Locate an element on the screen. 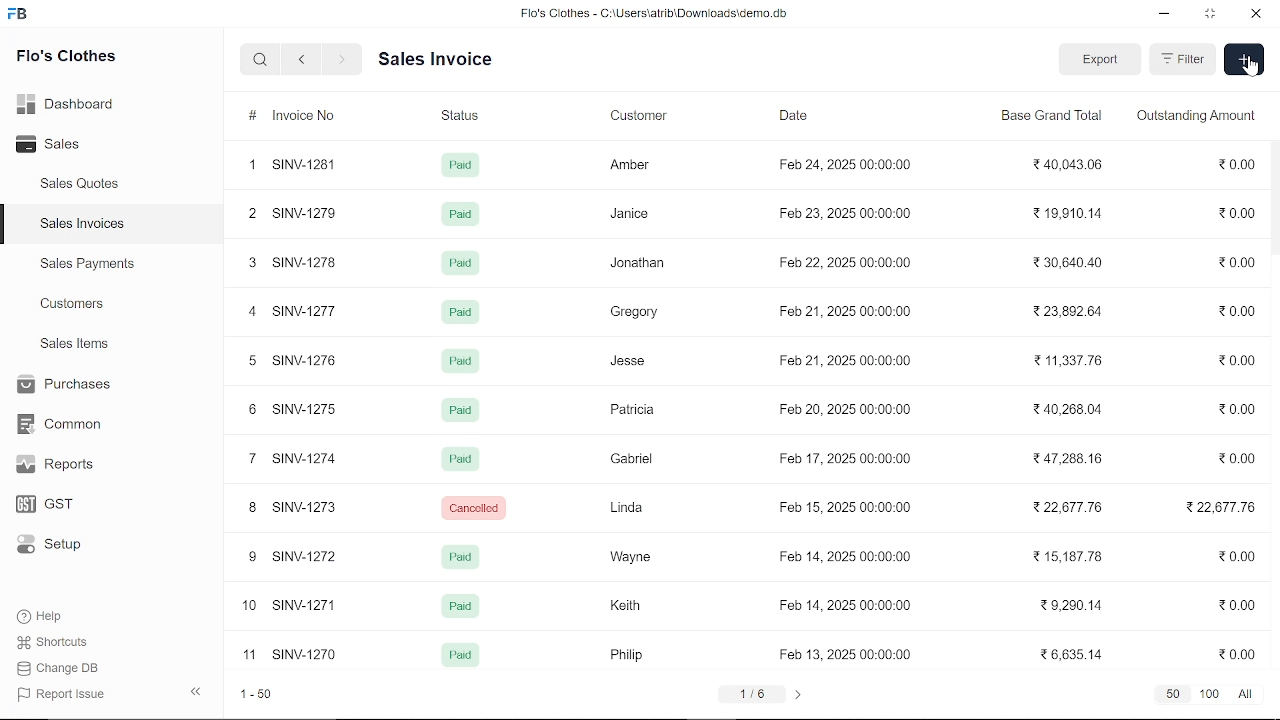 The image size is (1280, 720). Export is located at coordinates (1100, 59).